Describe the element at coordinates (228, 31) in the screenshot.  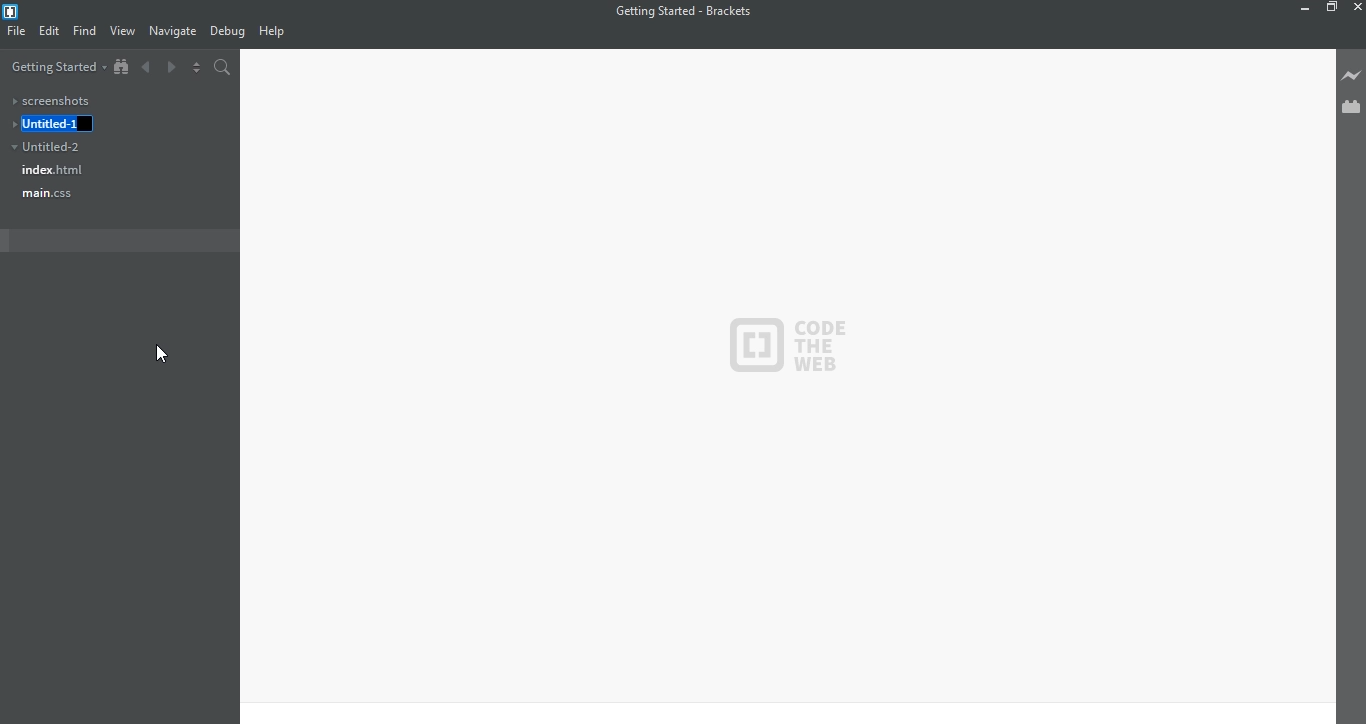
I see `debug` at that location.